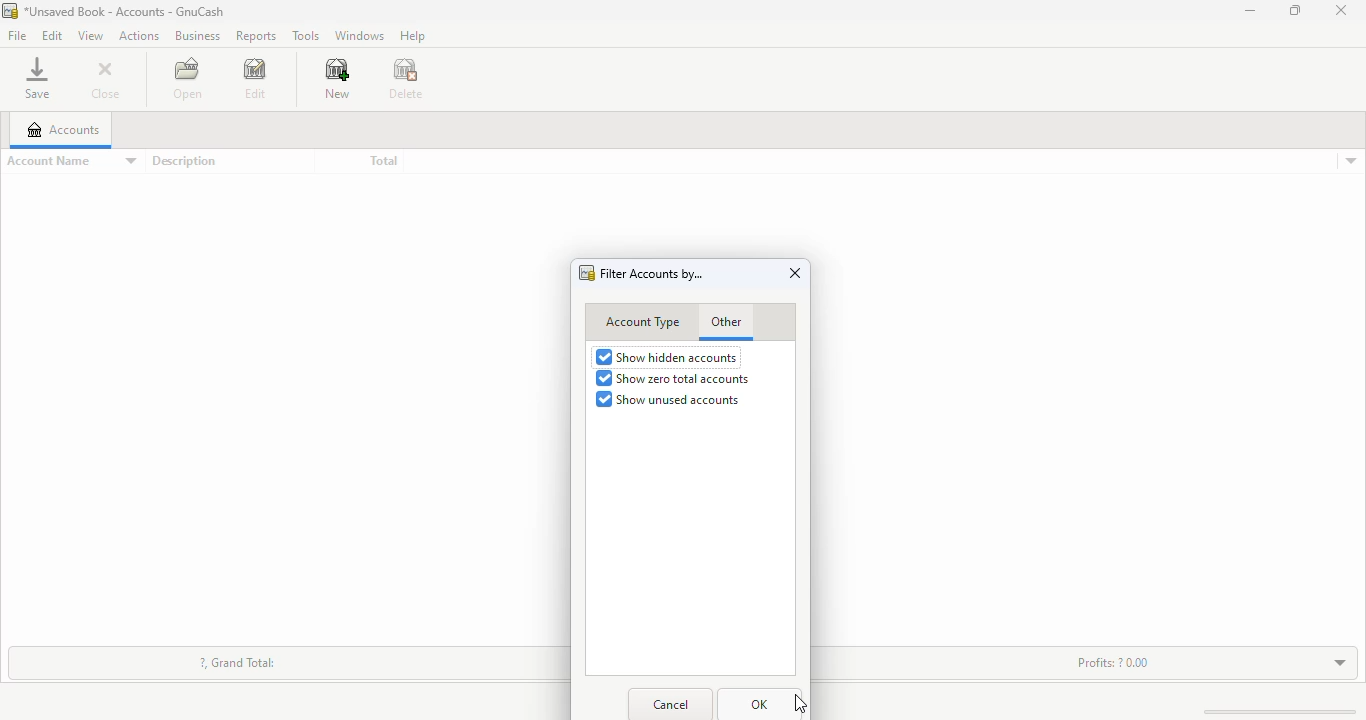  Describe the element at coordinates (37, 78) in the screenshot. I see `save` at that location.